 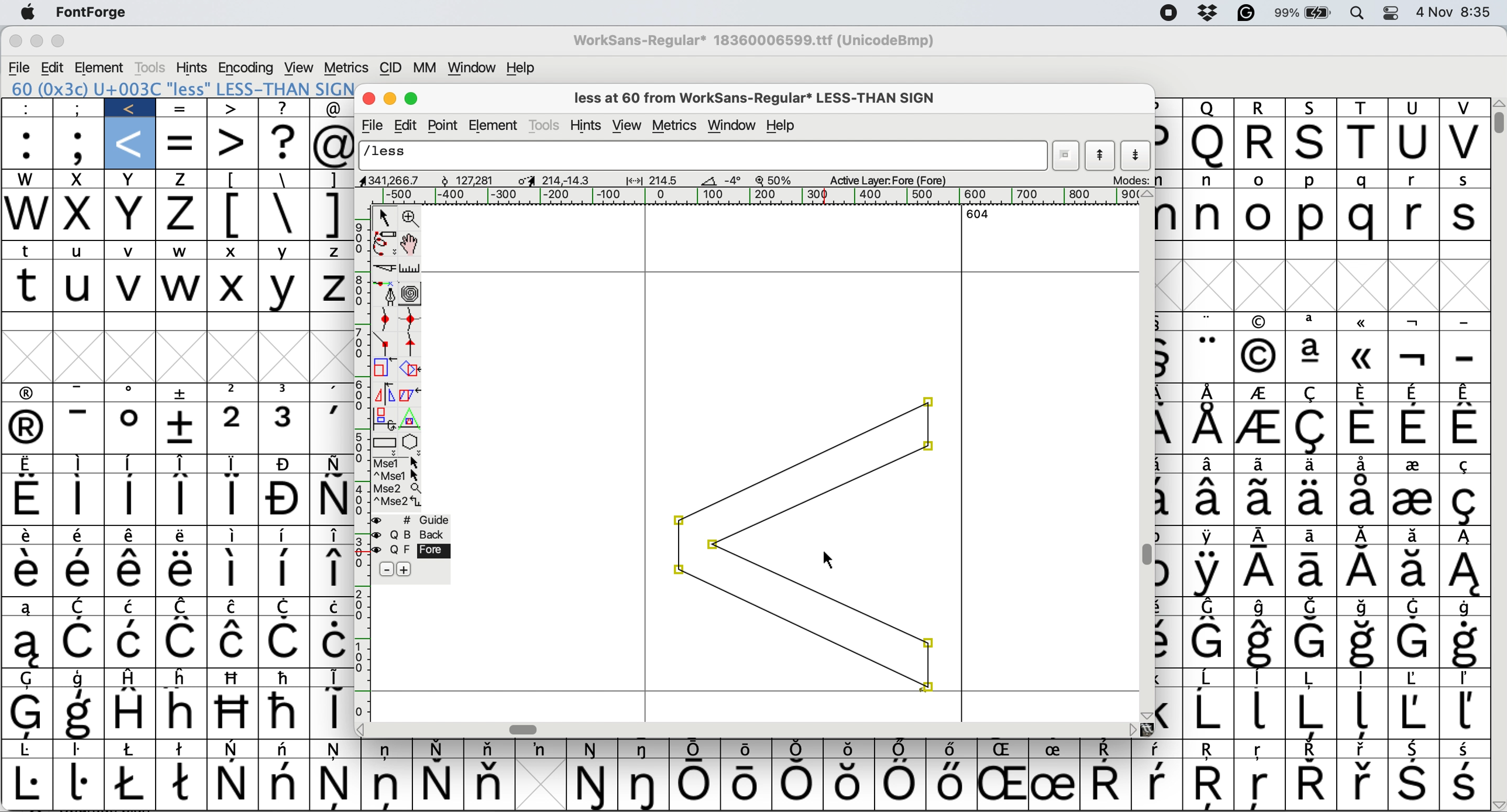 What do you see at coordinates (1411, 714) in the screenshot?
I see `Symbol` at bounding box center [1411, 714].